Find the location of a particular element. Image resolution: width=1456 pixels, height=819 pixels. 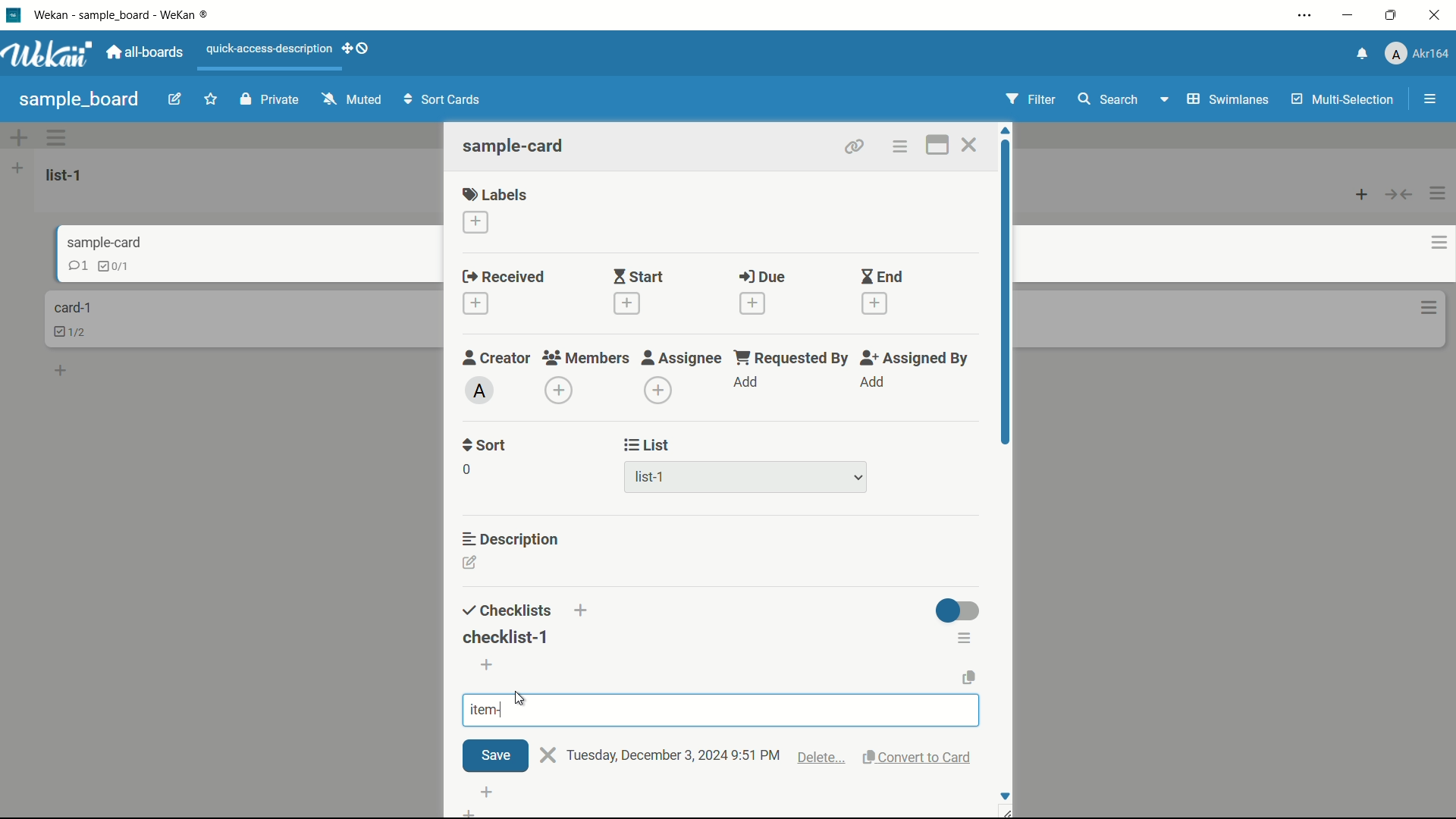

profile is located at coordinates (1416, 54).